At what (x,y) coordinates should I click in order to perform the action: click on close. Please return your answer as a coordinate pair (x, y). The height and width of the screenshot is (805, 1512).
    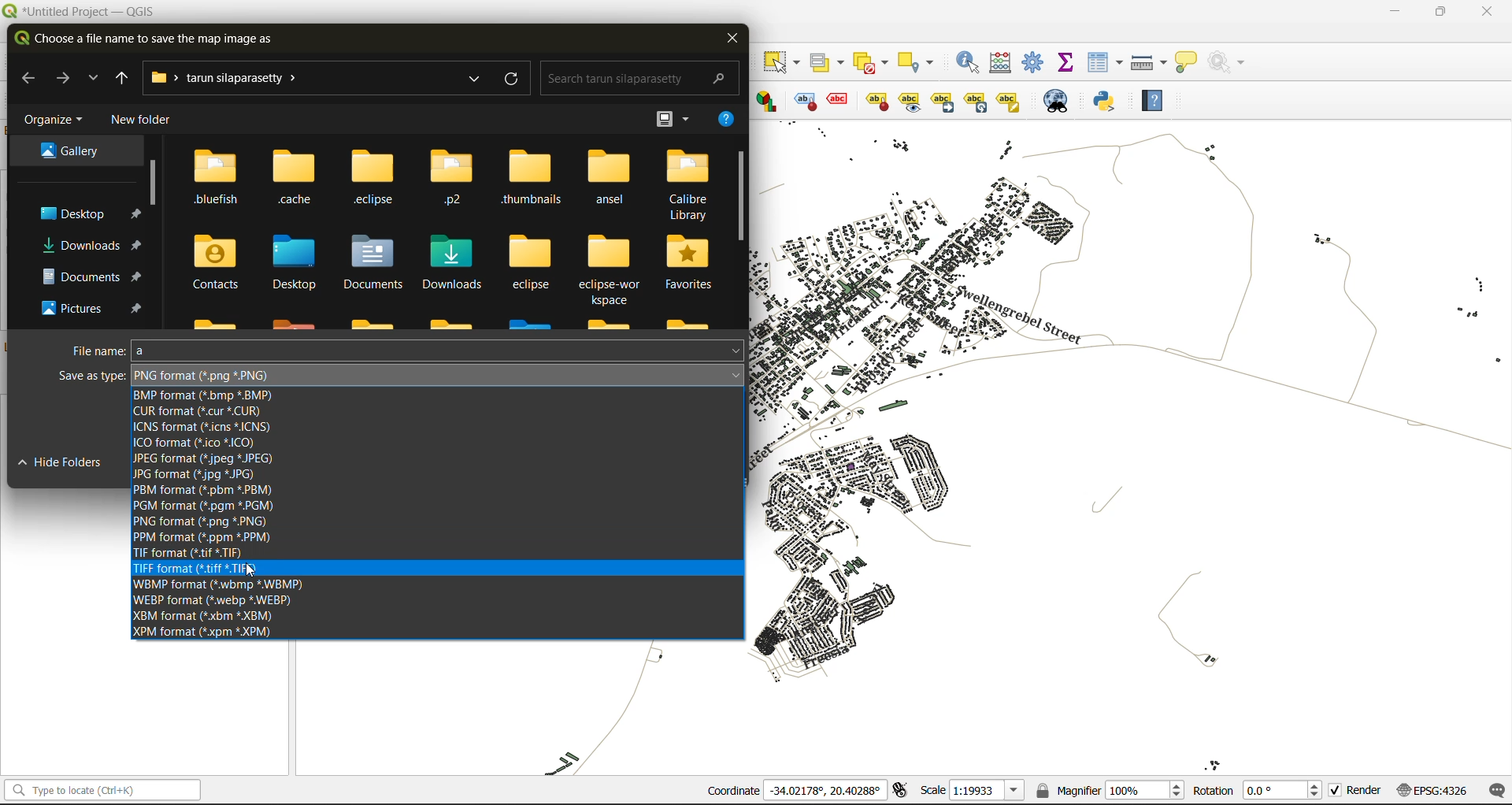
    Looking at the image, I should click on (1487, 11).